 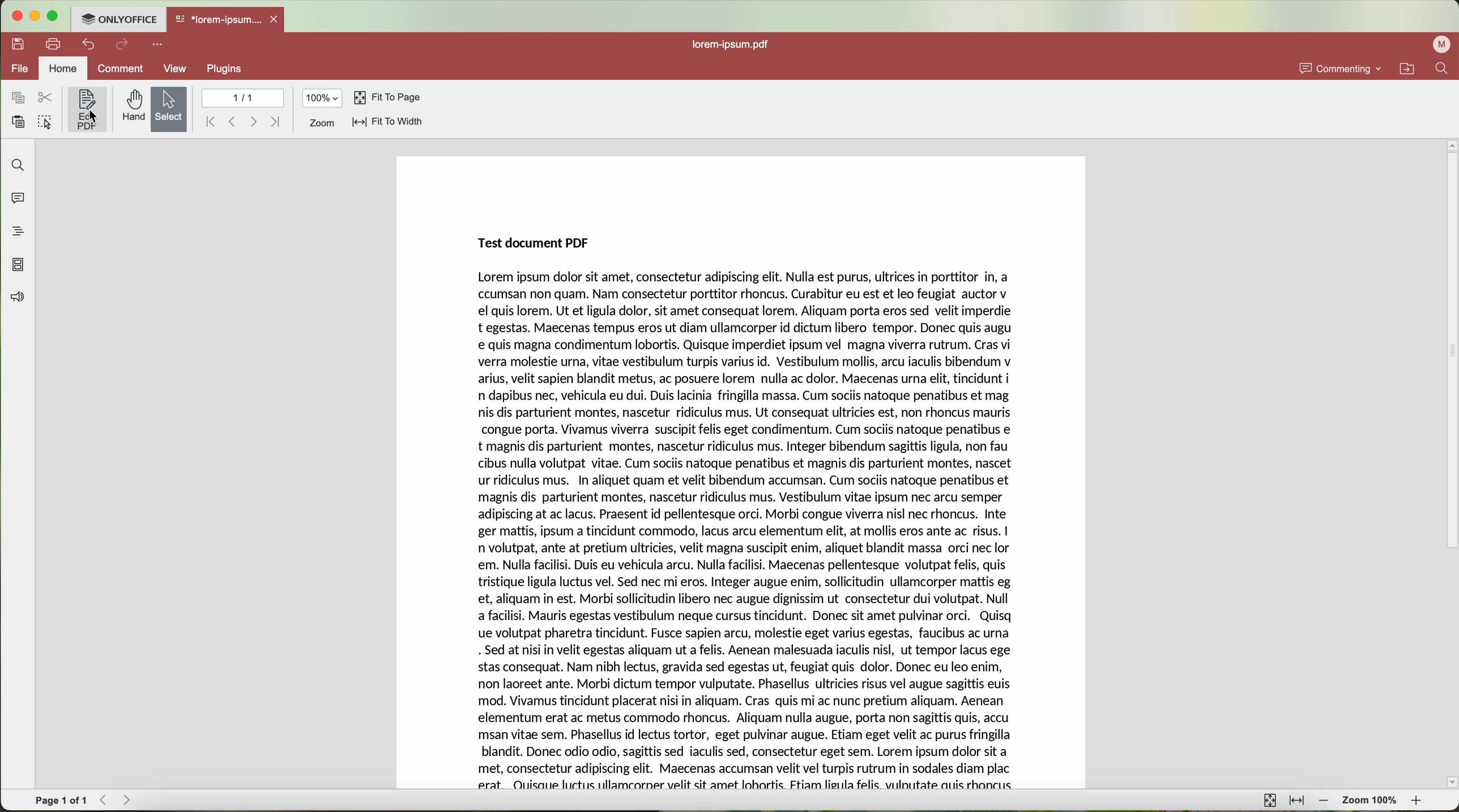 I want to click on print, so click(x=54, y=43).